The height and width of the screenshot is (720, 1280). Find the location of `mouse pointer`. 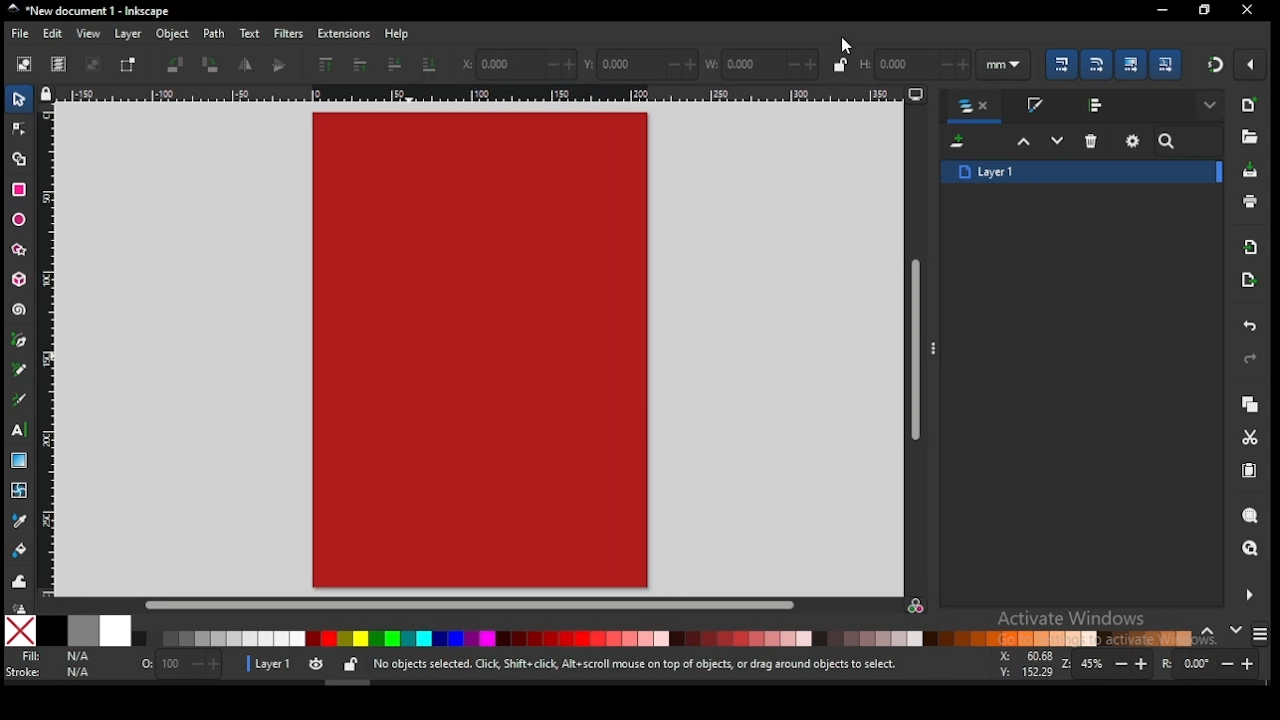

mouse pointer is located at coordinates (847, 45).